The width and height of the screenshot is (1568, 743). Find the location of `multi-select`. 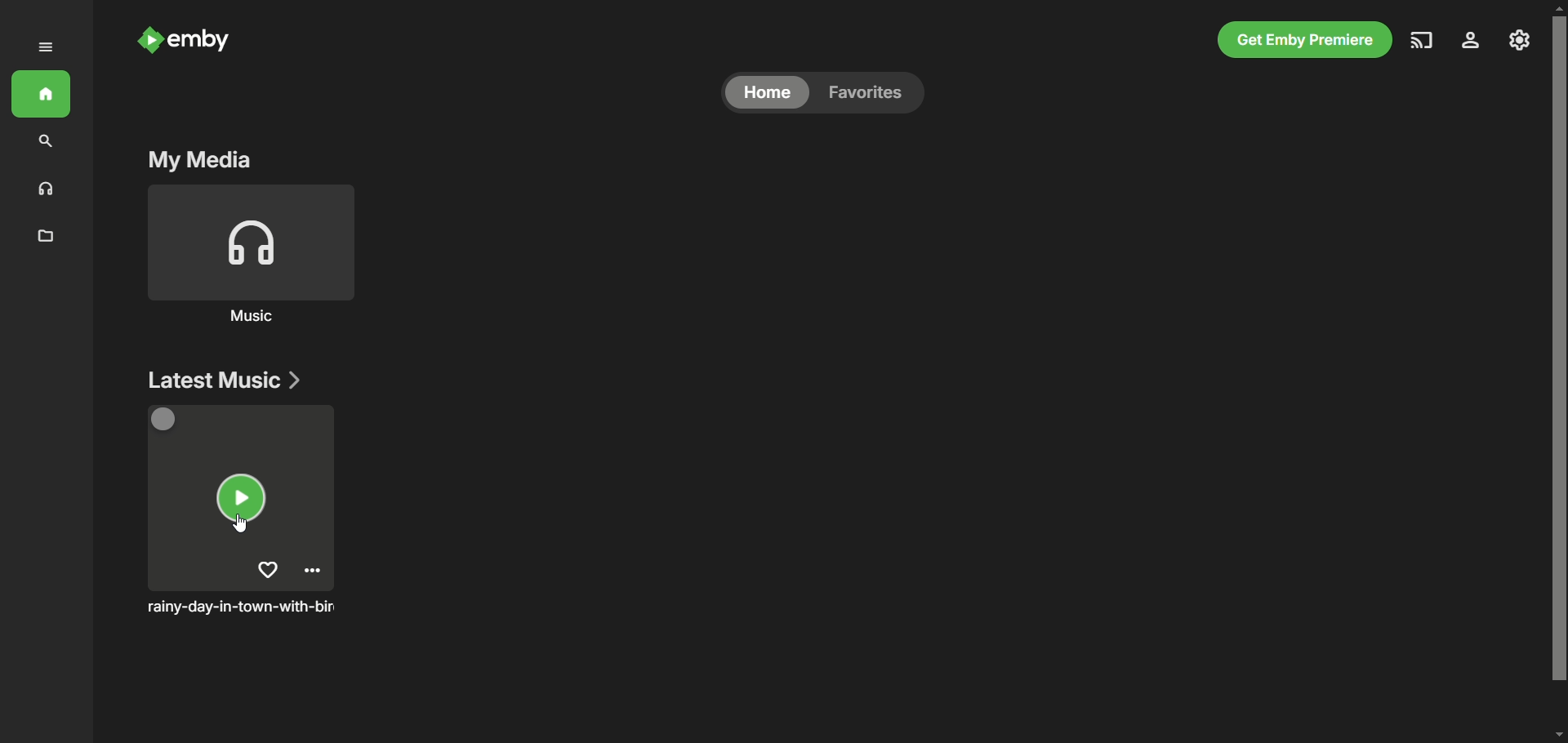

multi-select is located at coordinates (168, 421).